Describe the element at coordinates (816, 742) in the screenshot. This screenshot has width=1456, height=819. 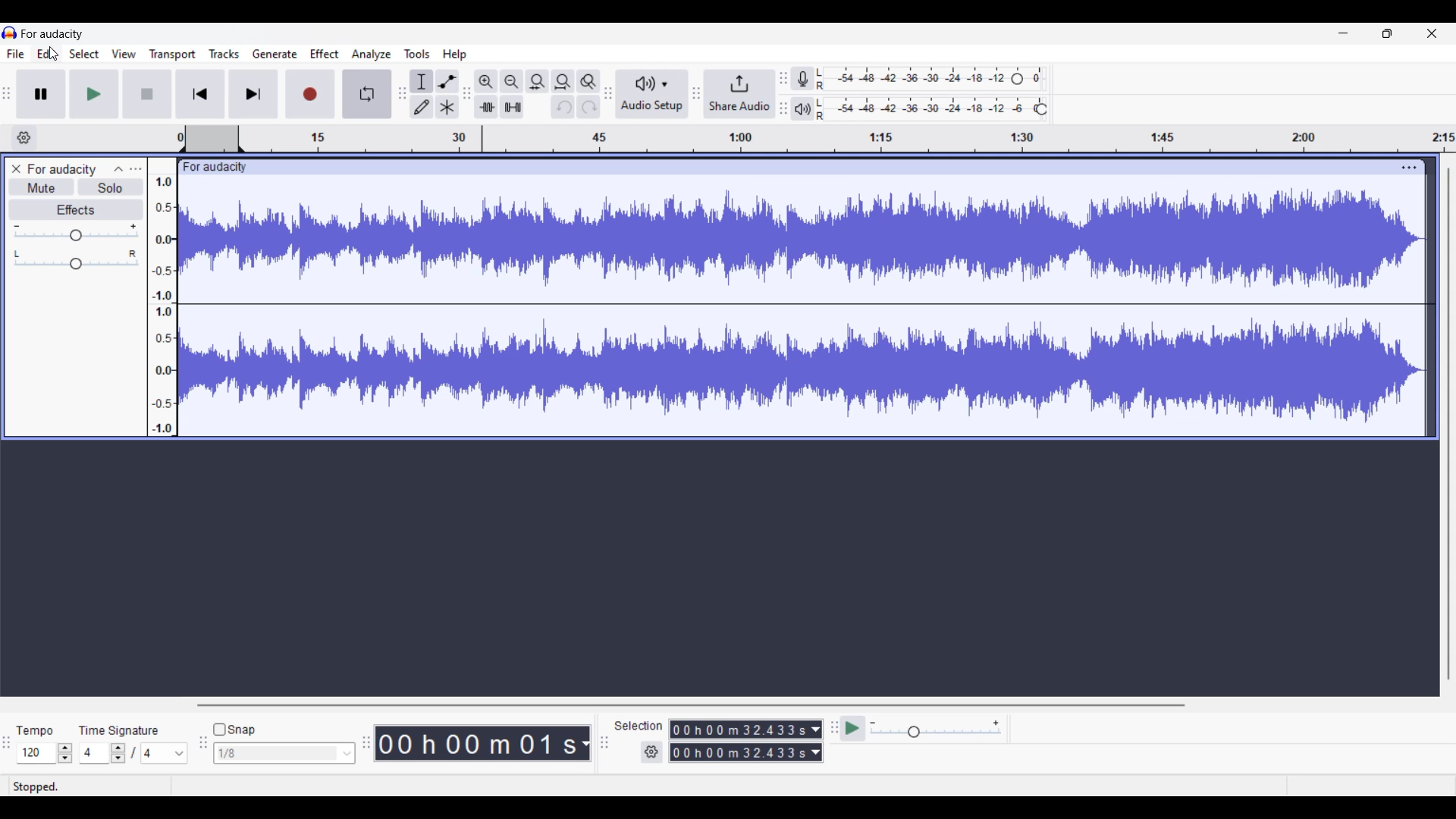
I see `Duration measurement` at that location.